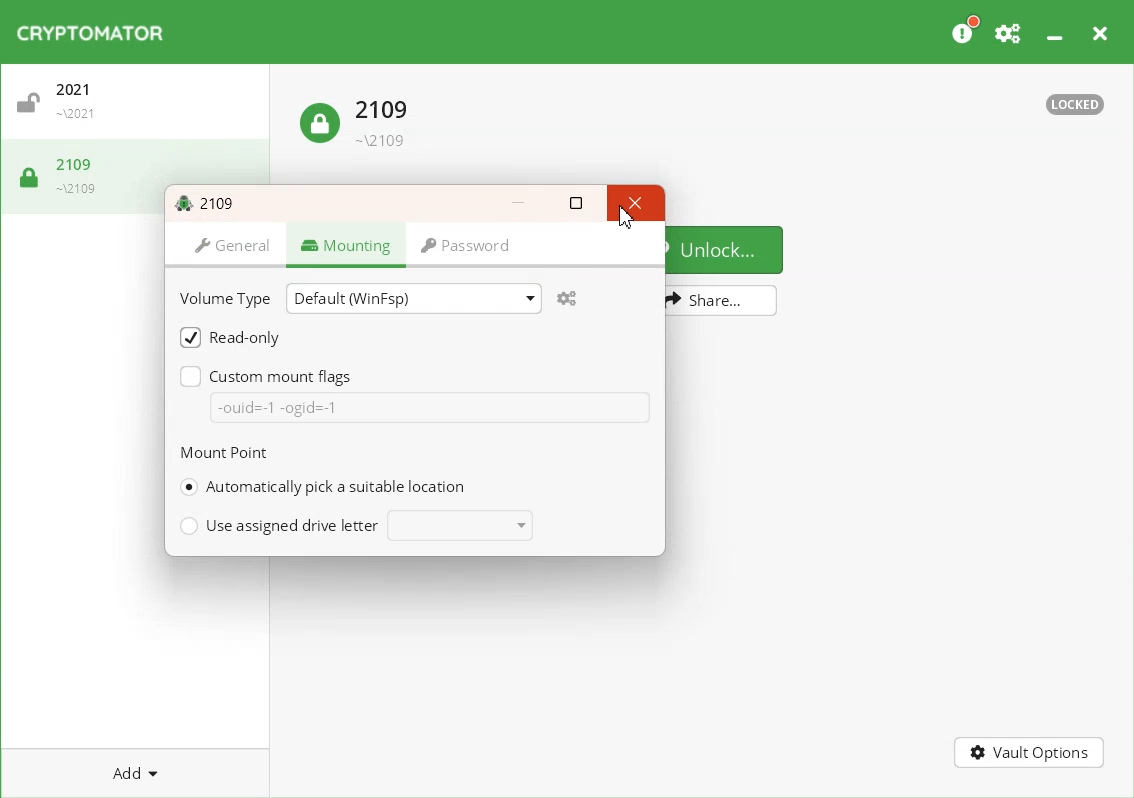  Describe the element at coordinates (228, 297) in the screenshot. I see `Volume Type` at that location.